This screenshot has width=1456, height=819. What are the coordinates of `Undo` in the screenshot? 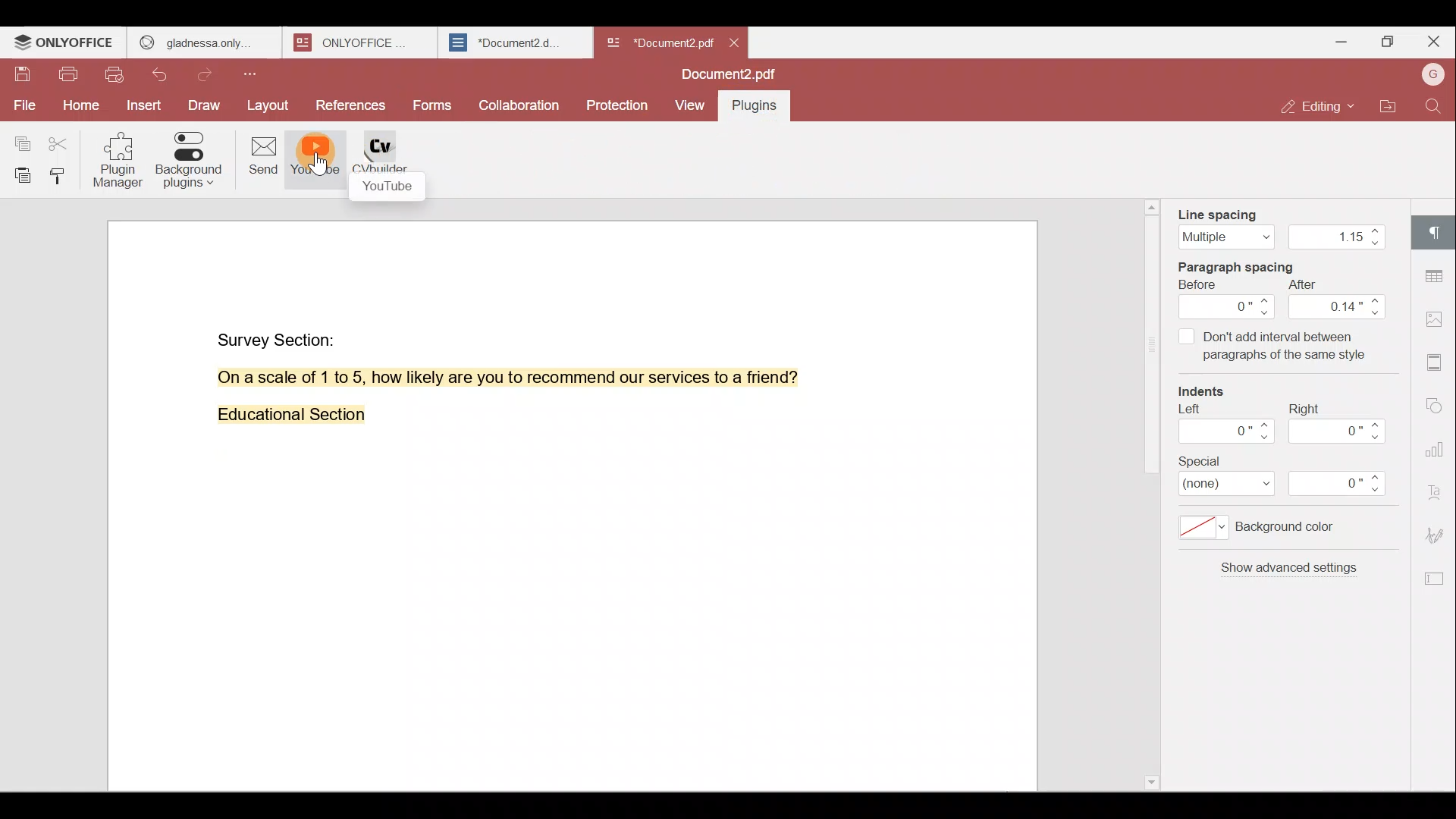 It's located at (168, 77).